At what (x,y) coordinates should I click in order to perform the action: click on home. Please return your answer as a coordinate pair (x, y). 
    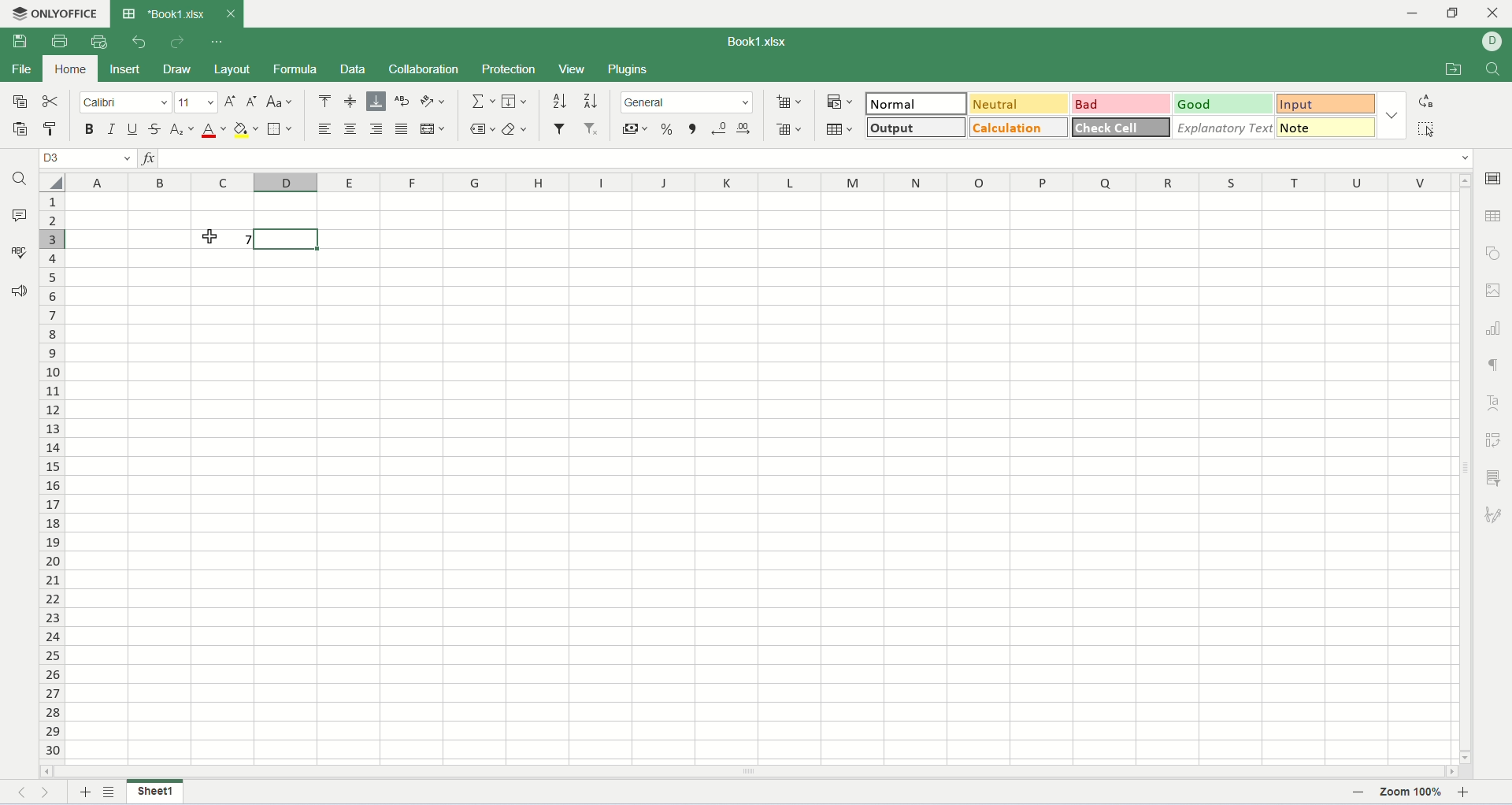
    Looking at the image, I should click on (68, 69).